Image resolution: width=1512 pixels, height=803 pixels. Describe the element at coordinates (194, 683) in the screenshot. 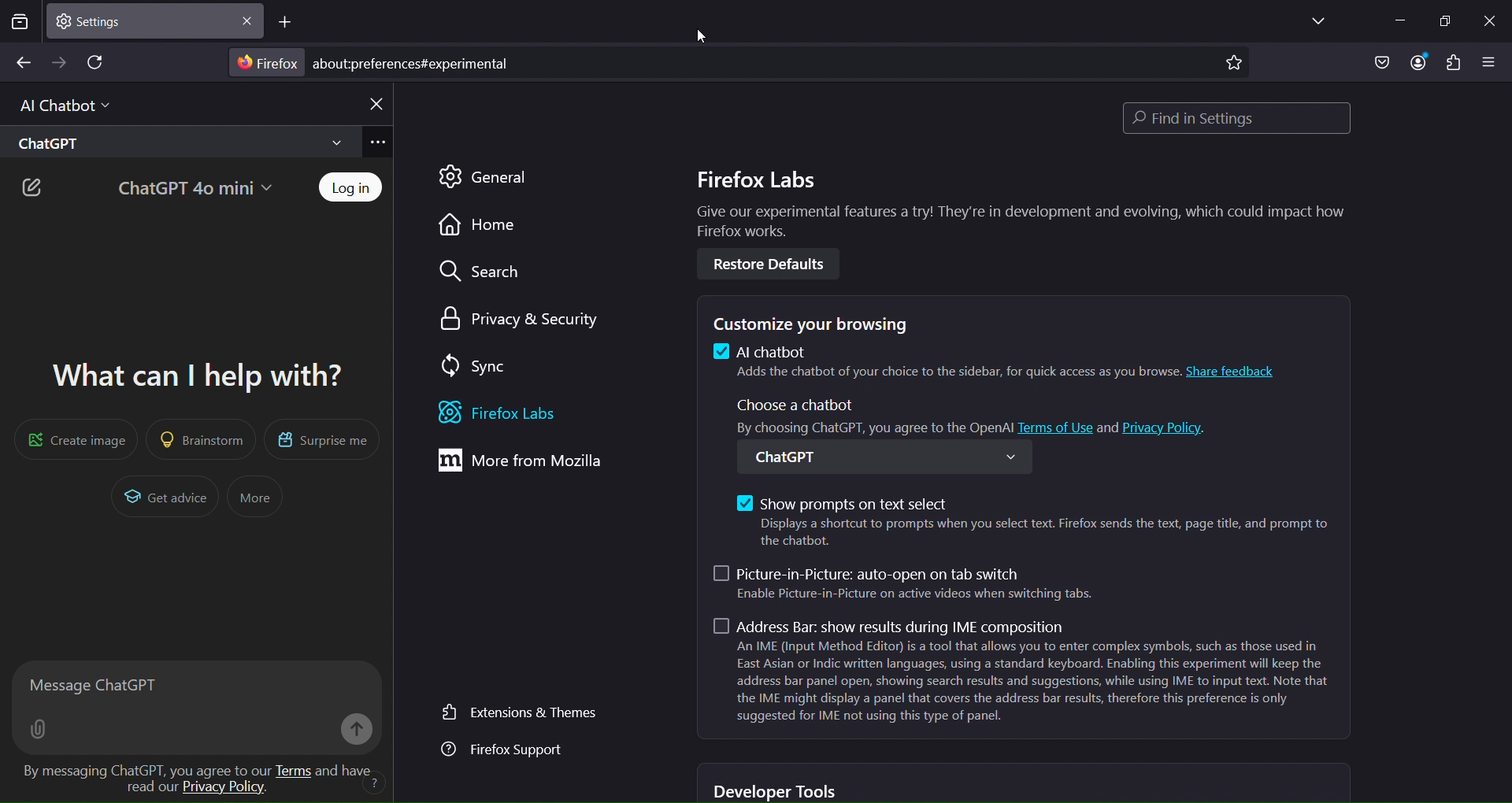

I see `Message ChatGPT` at that location.